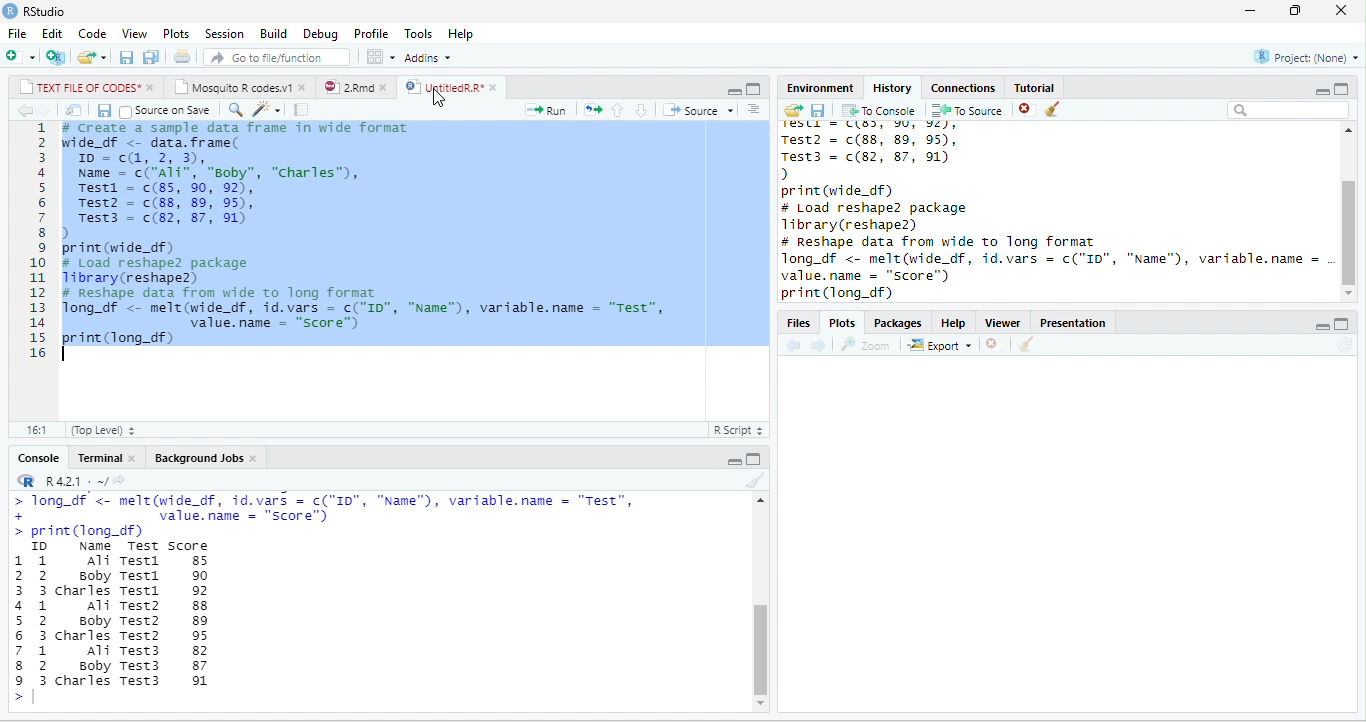 The height and width of the screenshot is (722, 1366). Describe the element at coordinates (152, 88) in the screenshot. I see `close` at that location.